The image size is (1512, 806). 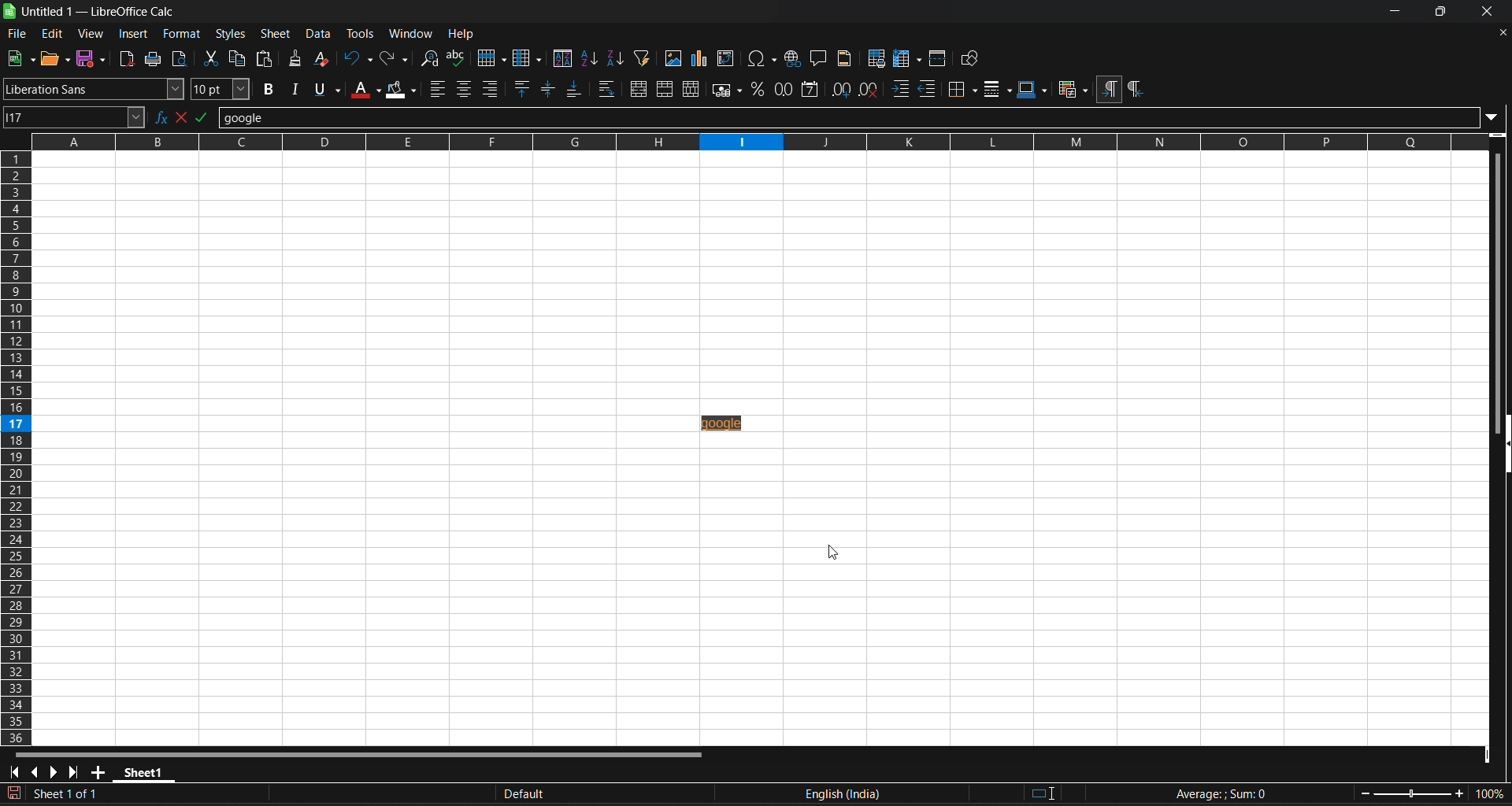 I want to click on toggle print preview, so click(x=183, y=59).